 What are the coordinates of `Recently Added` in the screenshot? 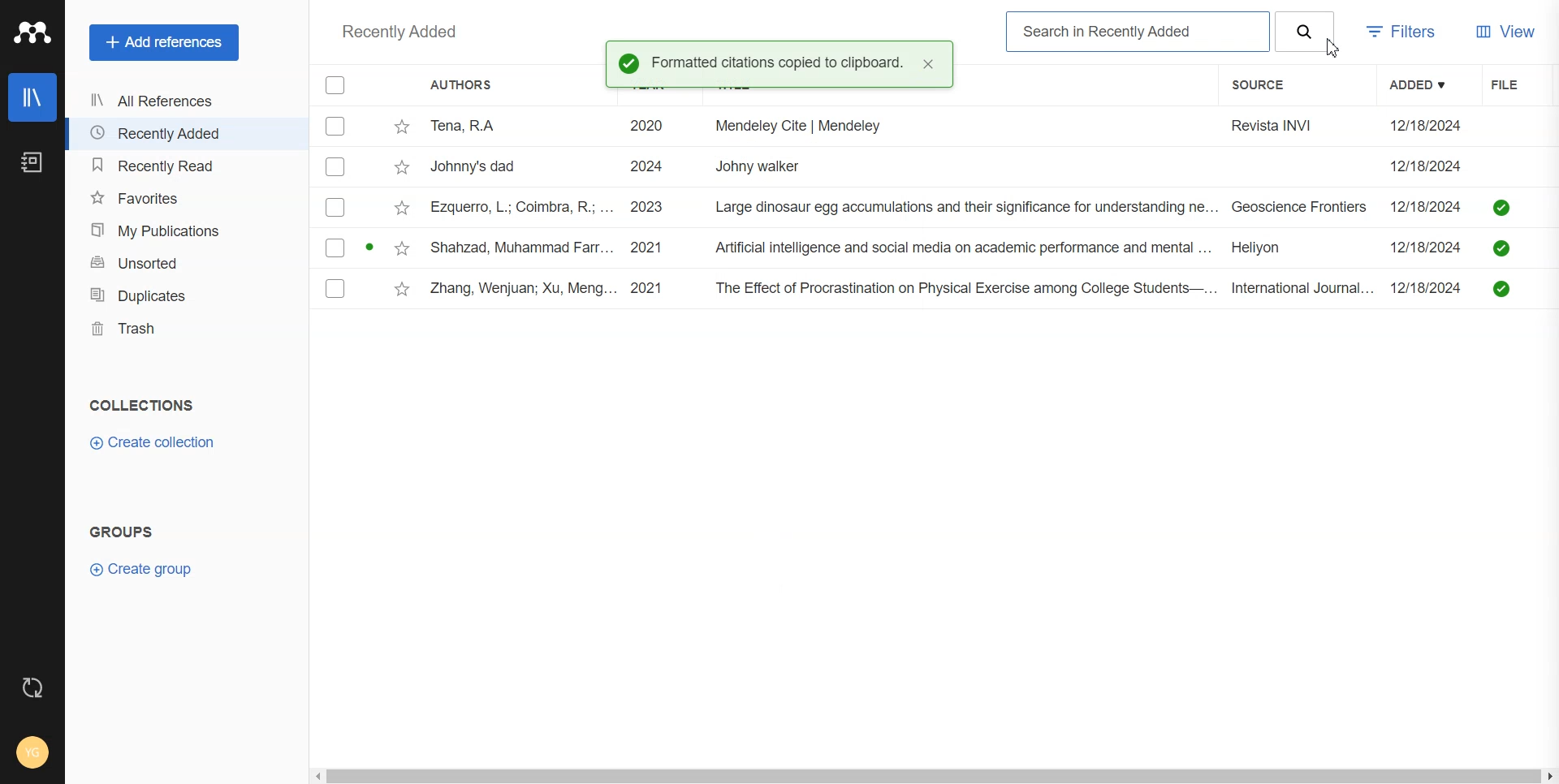 It's located at (183, 133).